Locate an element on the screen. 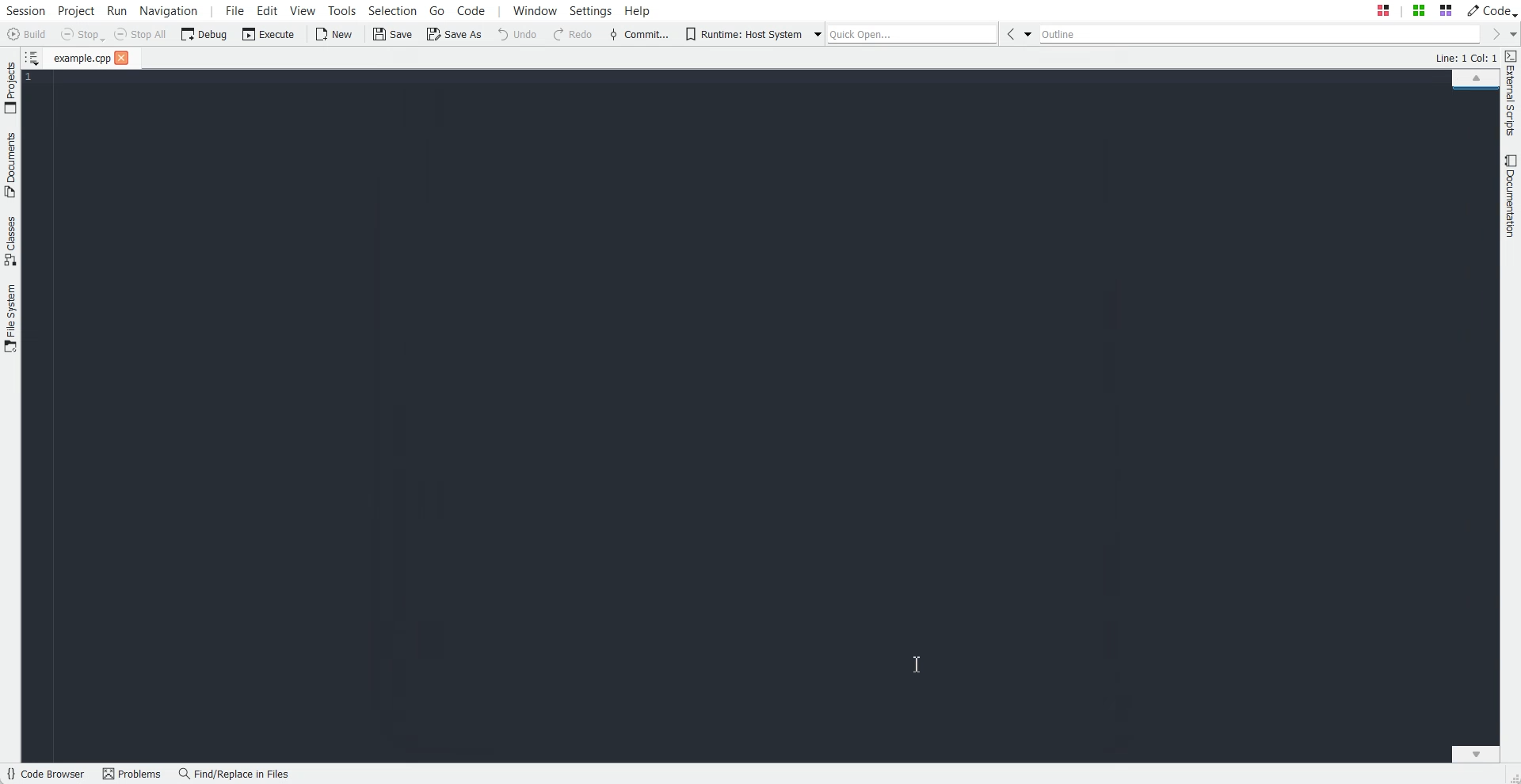 The width and height of the screenshot is (1521, 784). Commit is located at coordinates (639, 34).